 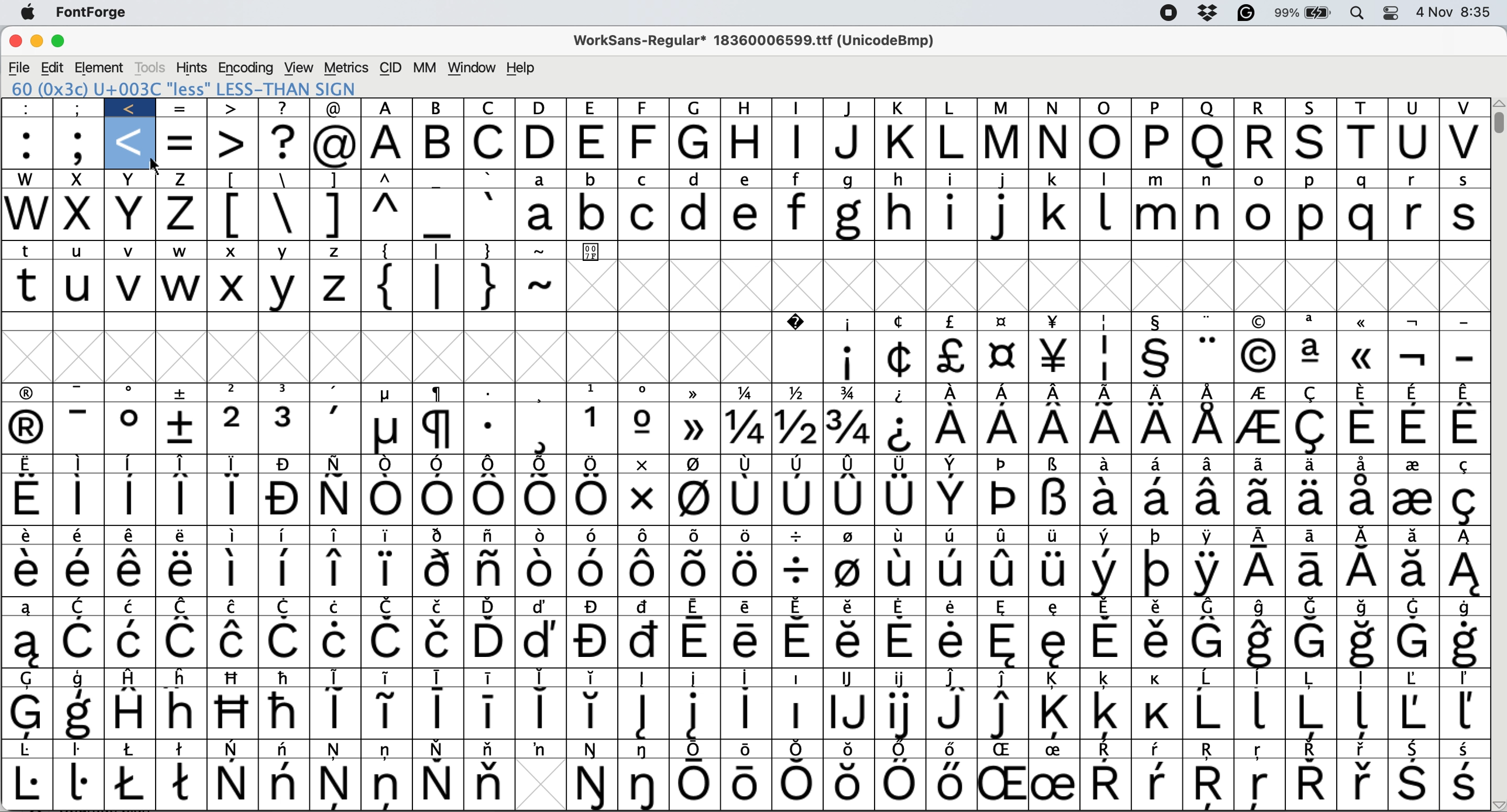 I want to click on Symbol, so click(x=1105, y=538).